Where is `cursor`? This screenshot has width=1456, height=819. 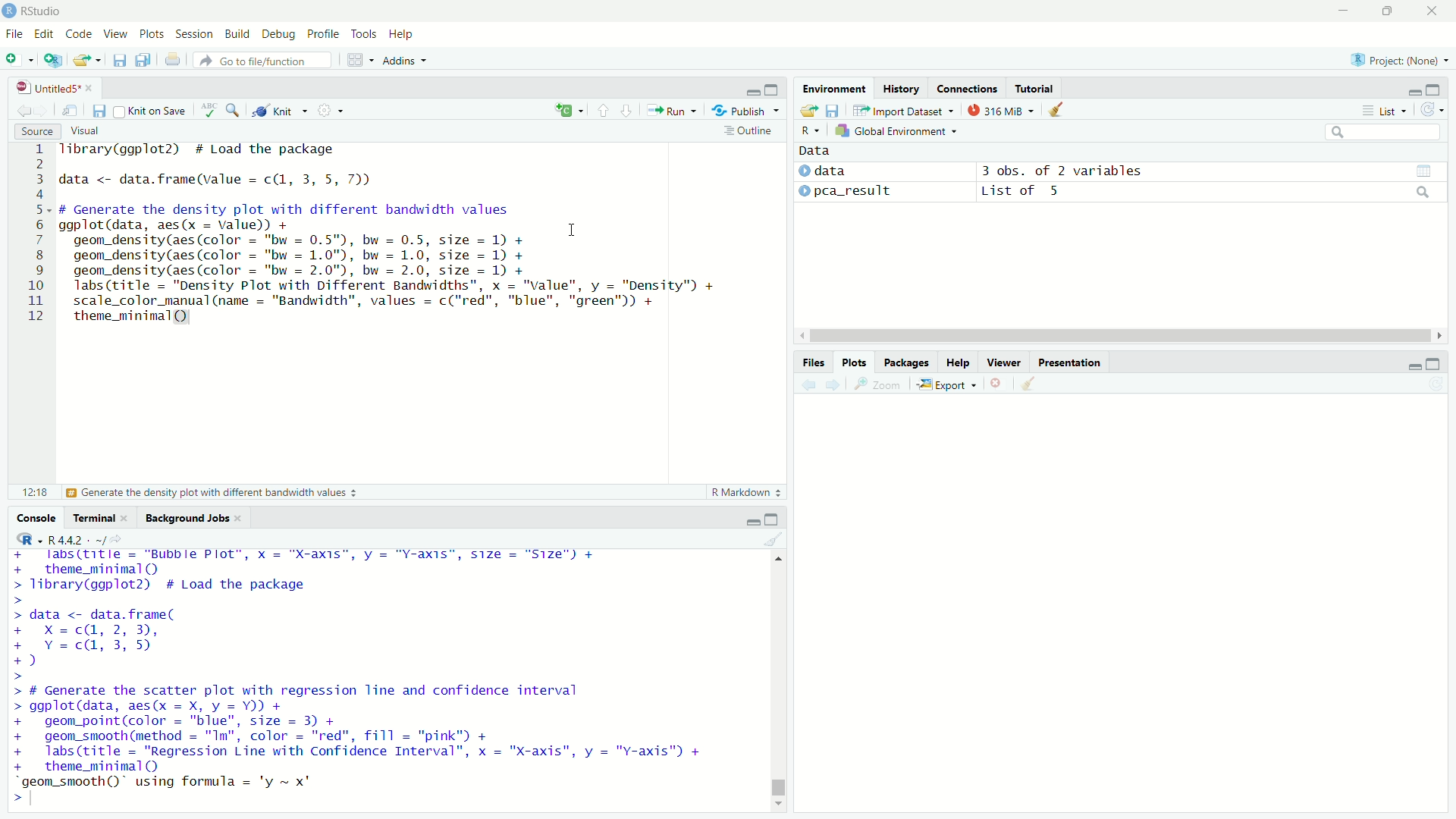 cursor is located at coordinates (572, 229).